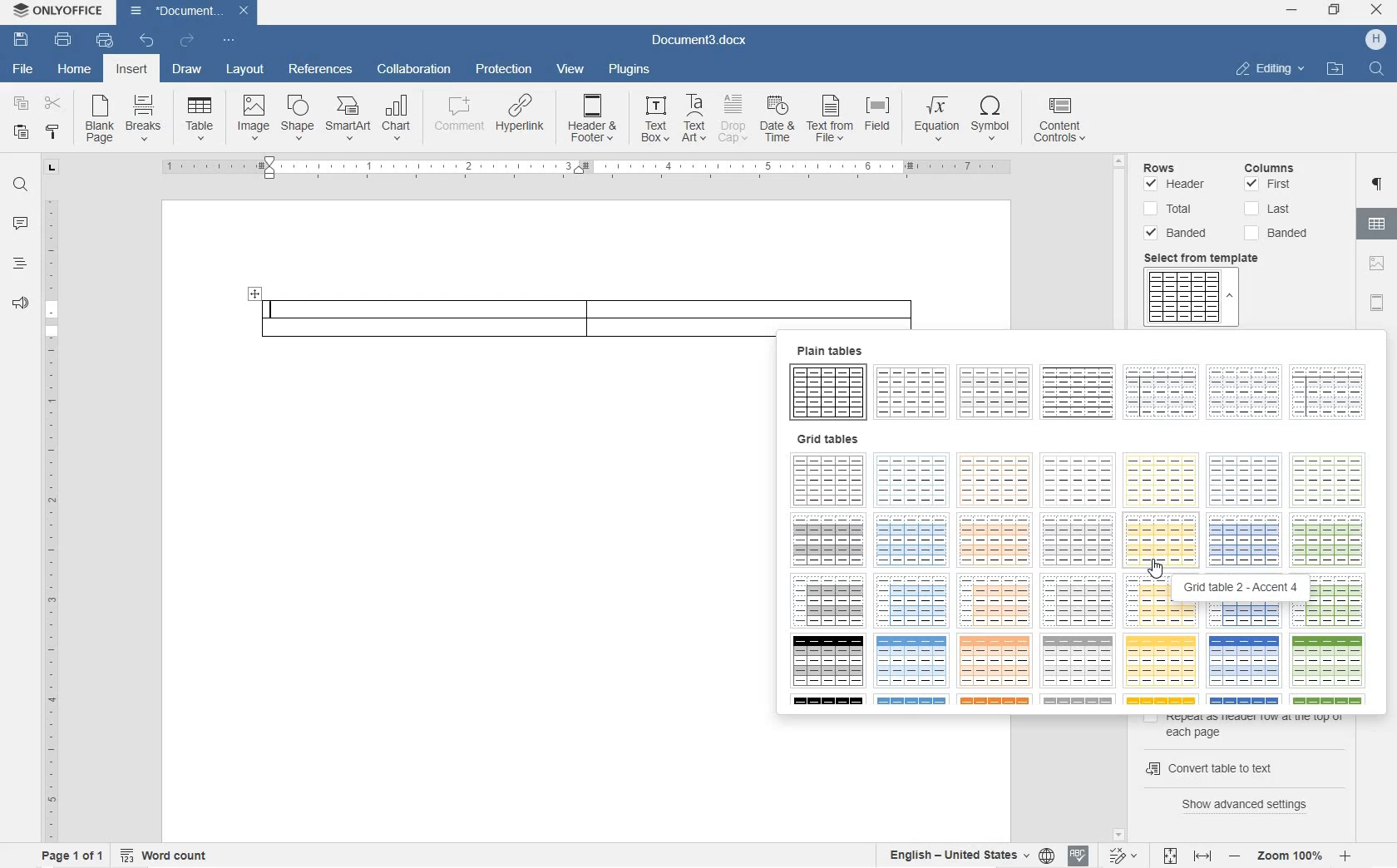 This screenshot has height=868, width=1397. I want to click on Image, so click(254, 116).